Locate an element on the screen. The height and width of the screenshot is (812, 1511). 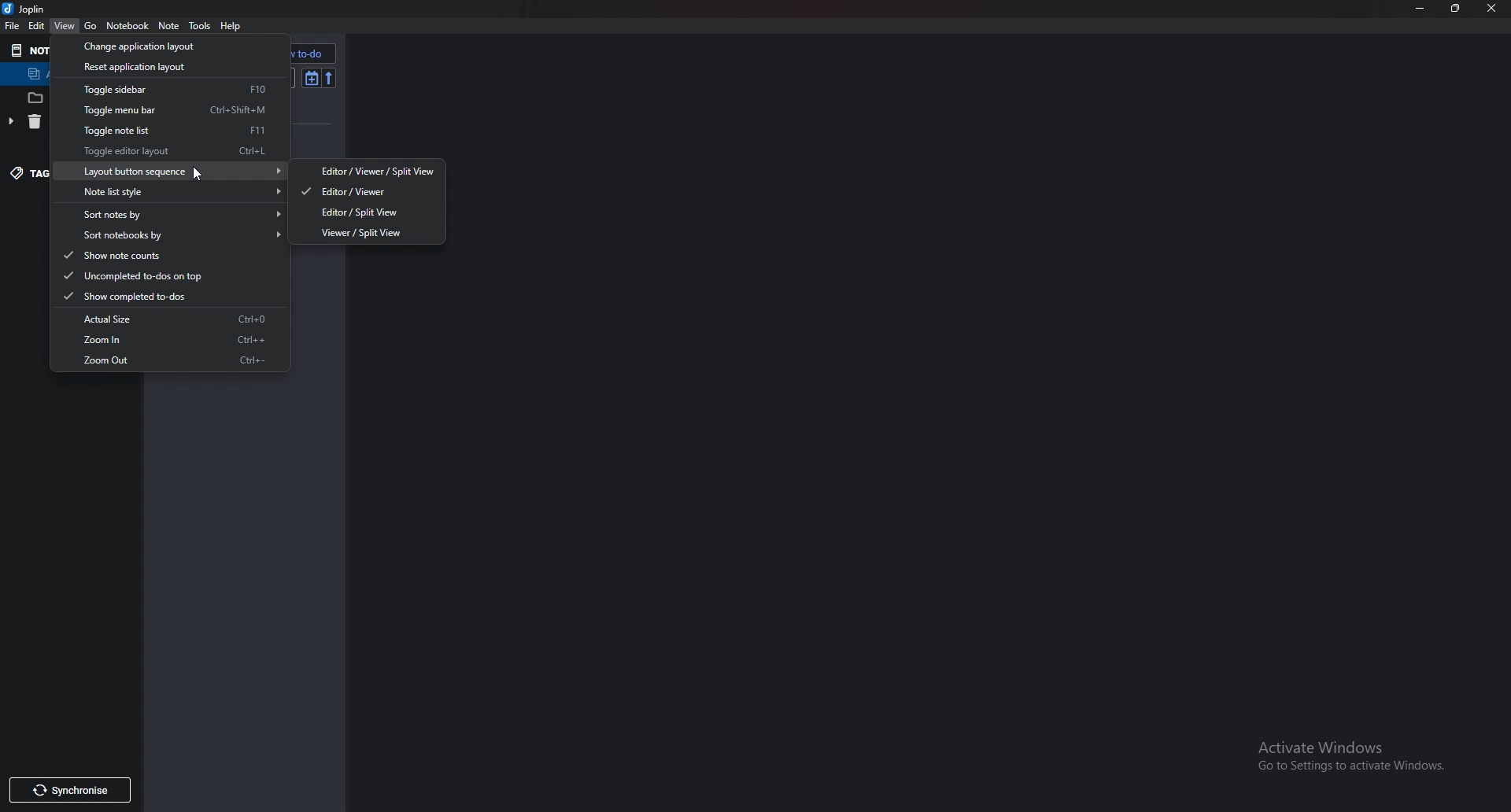
File is located at coordinates (13, 28).